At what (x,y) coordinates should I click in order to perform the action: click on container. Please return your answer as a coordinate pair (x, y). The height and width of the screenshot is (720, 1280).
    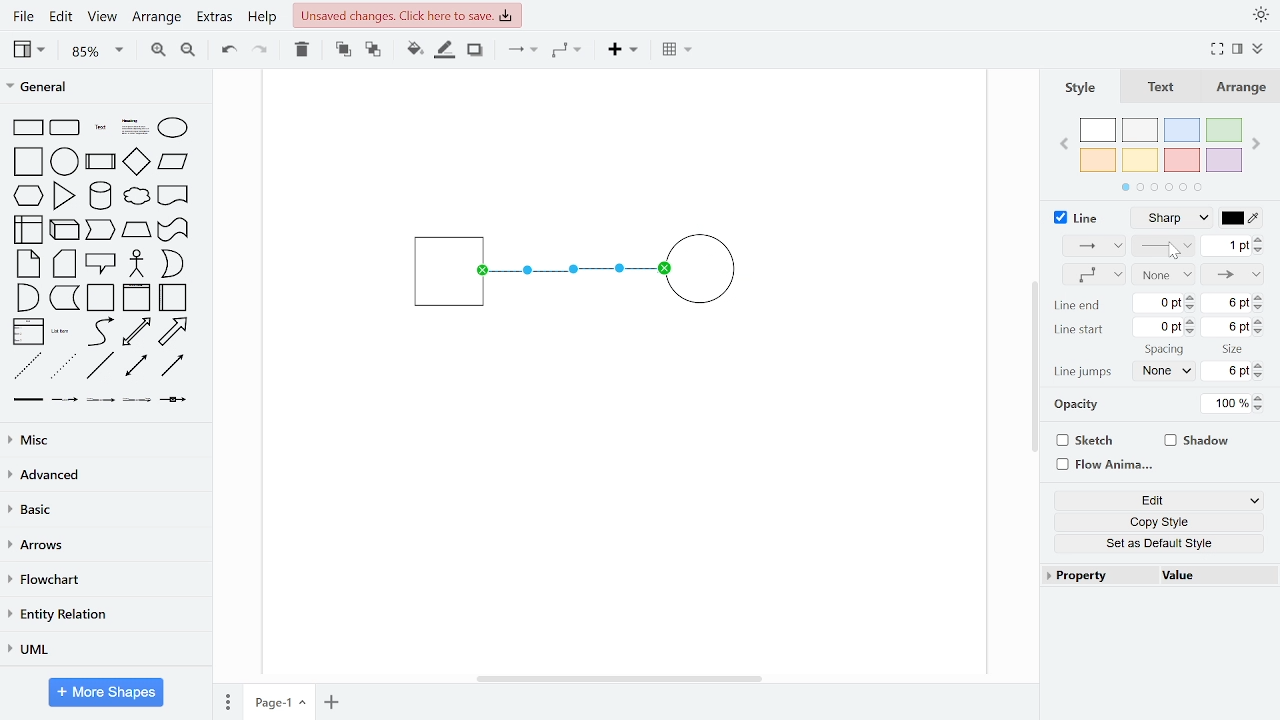
    Looking at the image, I should click on (102, 298).